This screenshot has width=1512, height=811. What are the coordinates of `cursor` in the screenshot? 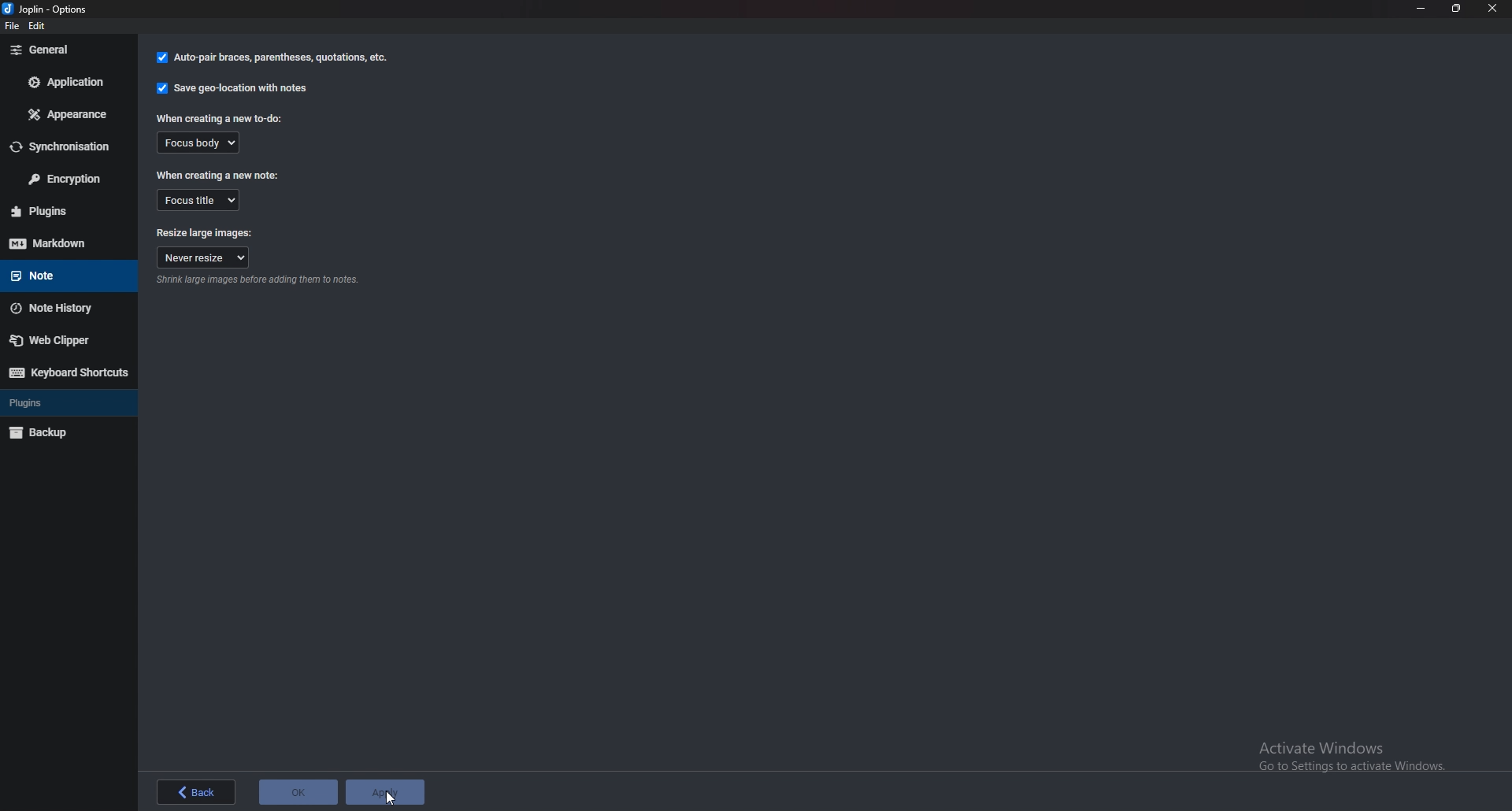 It's located at (390, 795).